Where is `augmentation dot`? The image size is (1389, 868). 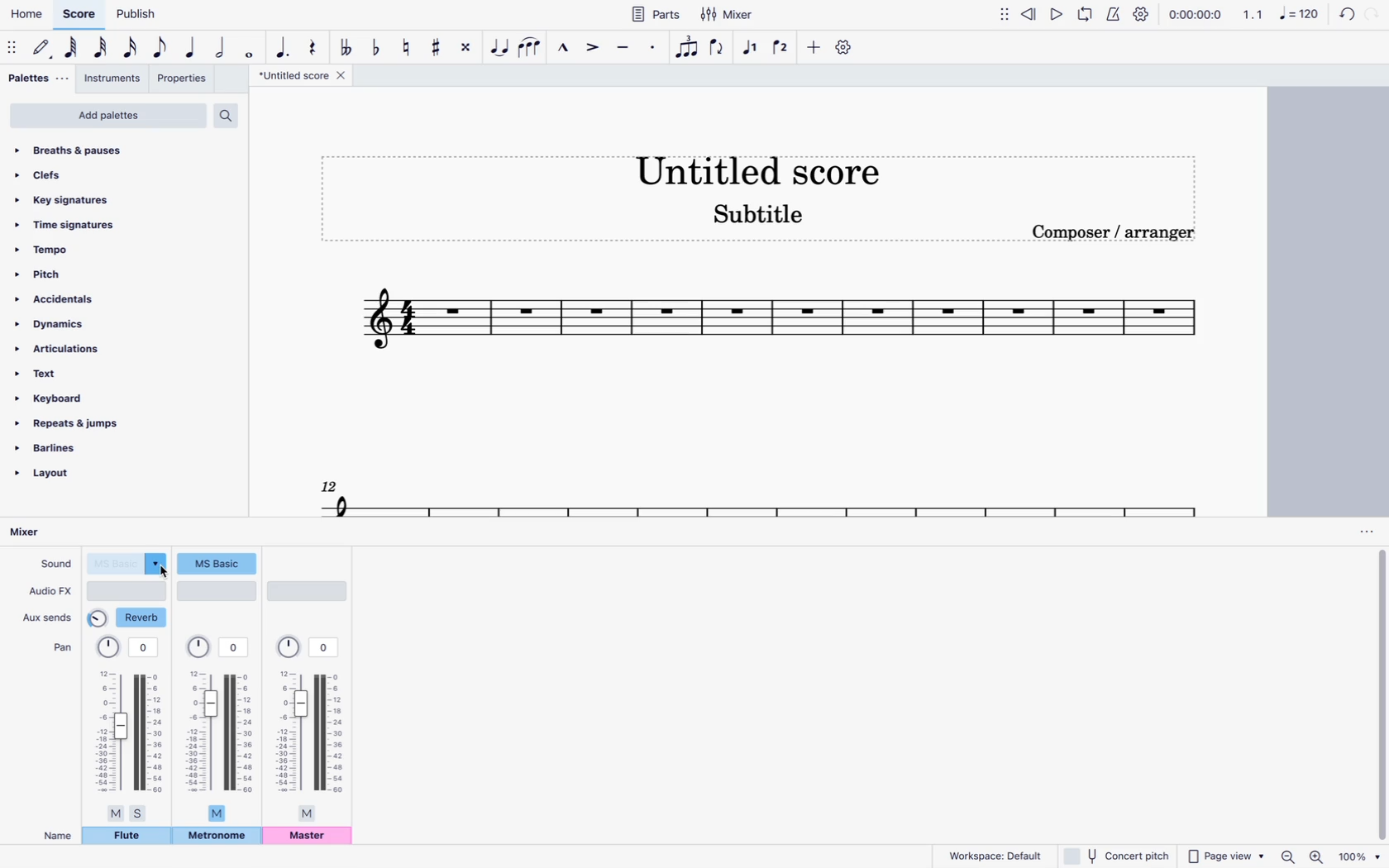 augmentation dot is located at coordinates (283, 45).